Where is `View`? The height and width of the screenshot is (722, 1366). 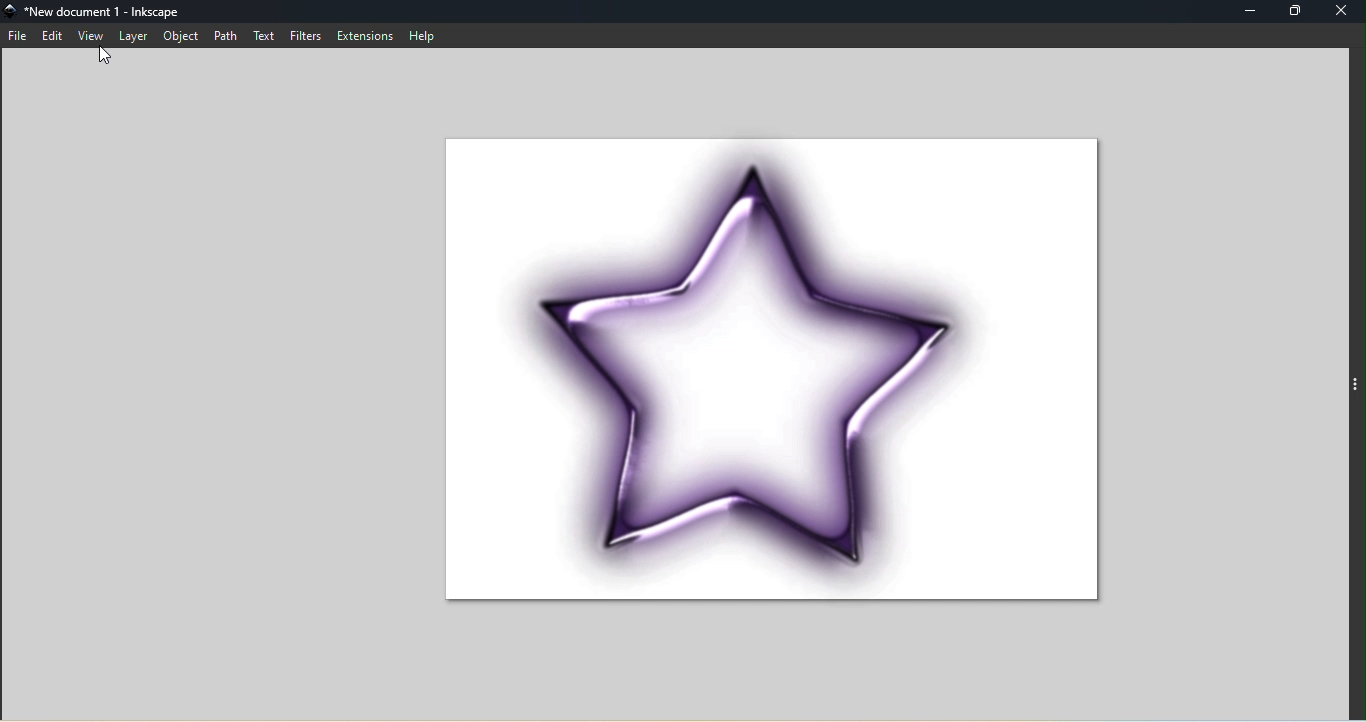 View is located at coordinates (87, 35).